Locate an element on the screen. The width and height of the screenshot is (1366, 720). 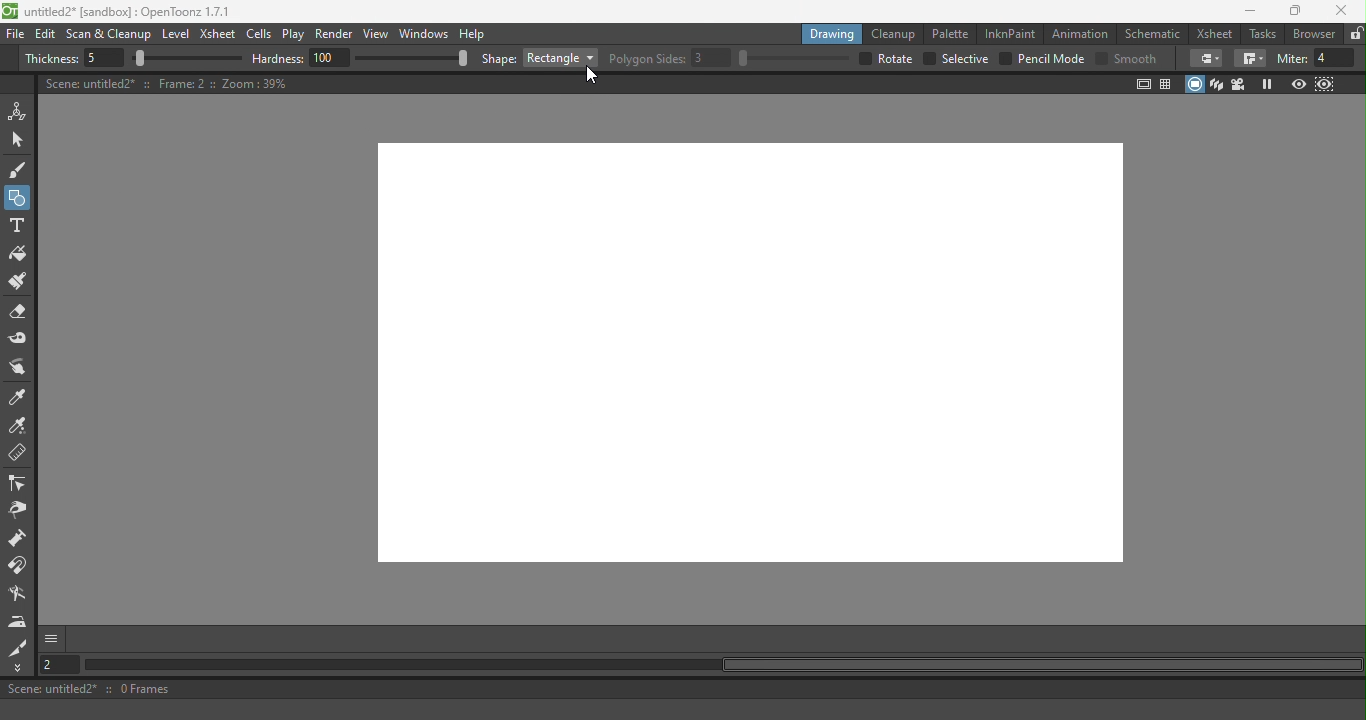
Level is located at coordinates (175, 34).